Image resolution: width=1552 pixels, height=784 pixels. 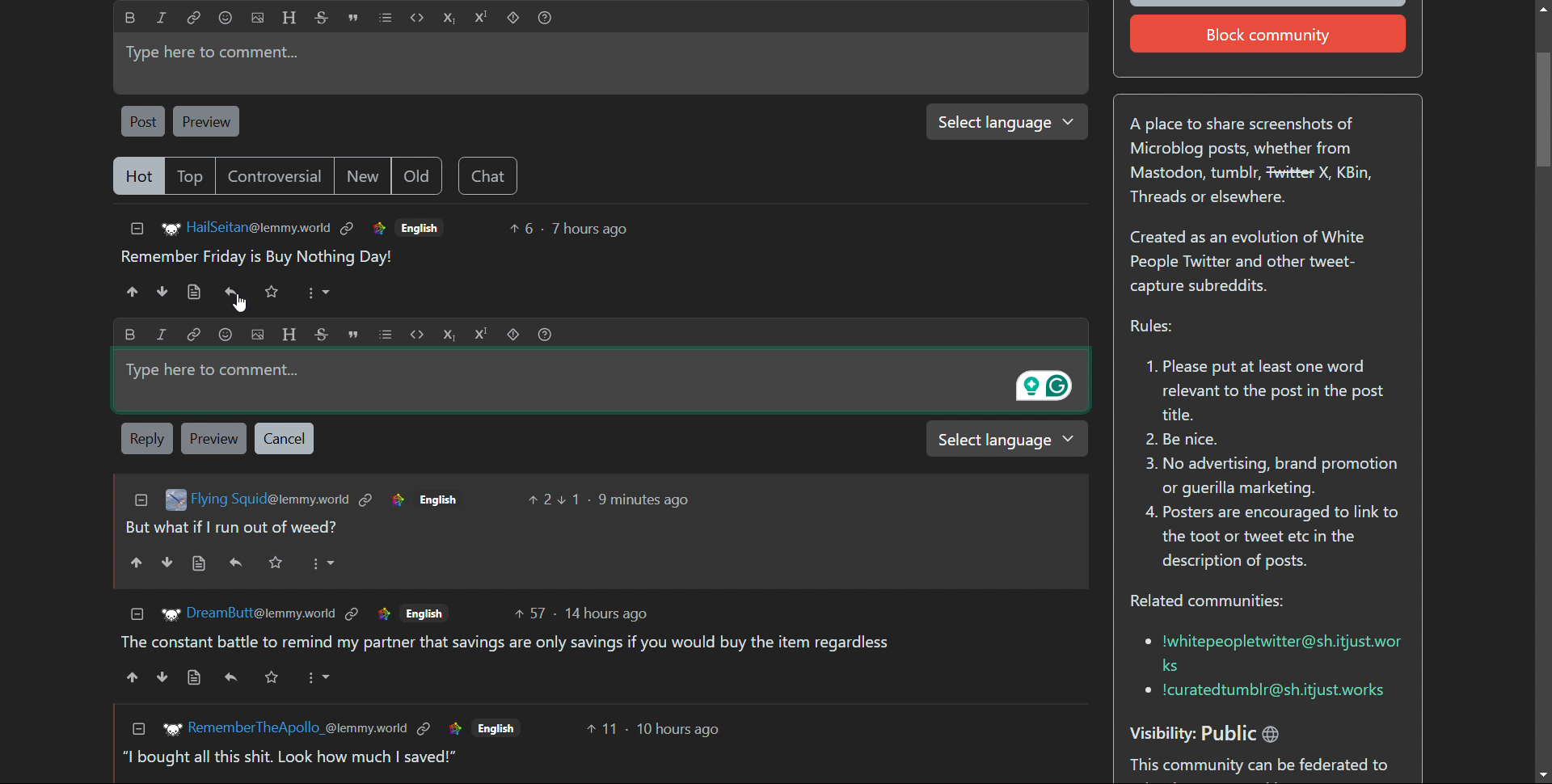 What do you see at coordinates (1272, 35) in the screenshot?
I see `Block community` at bounding box center [1272, 35].